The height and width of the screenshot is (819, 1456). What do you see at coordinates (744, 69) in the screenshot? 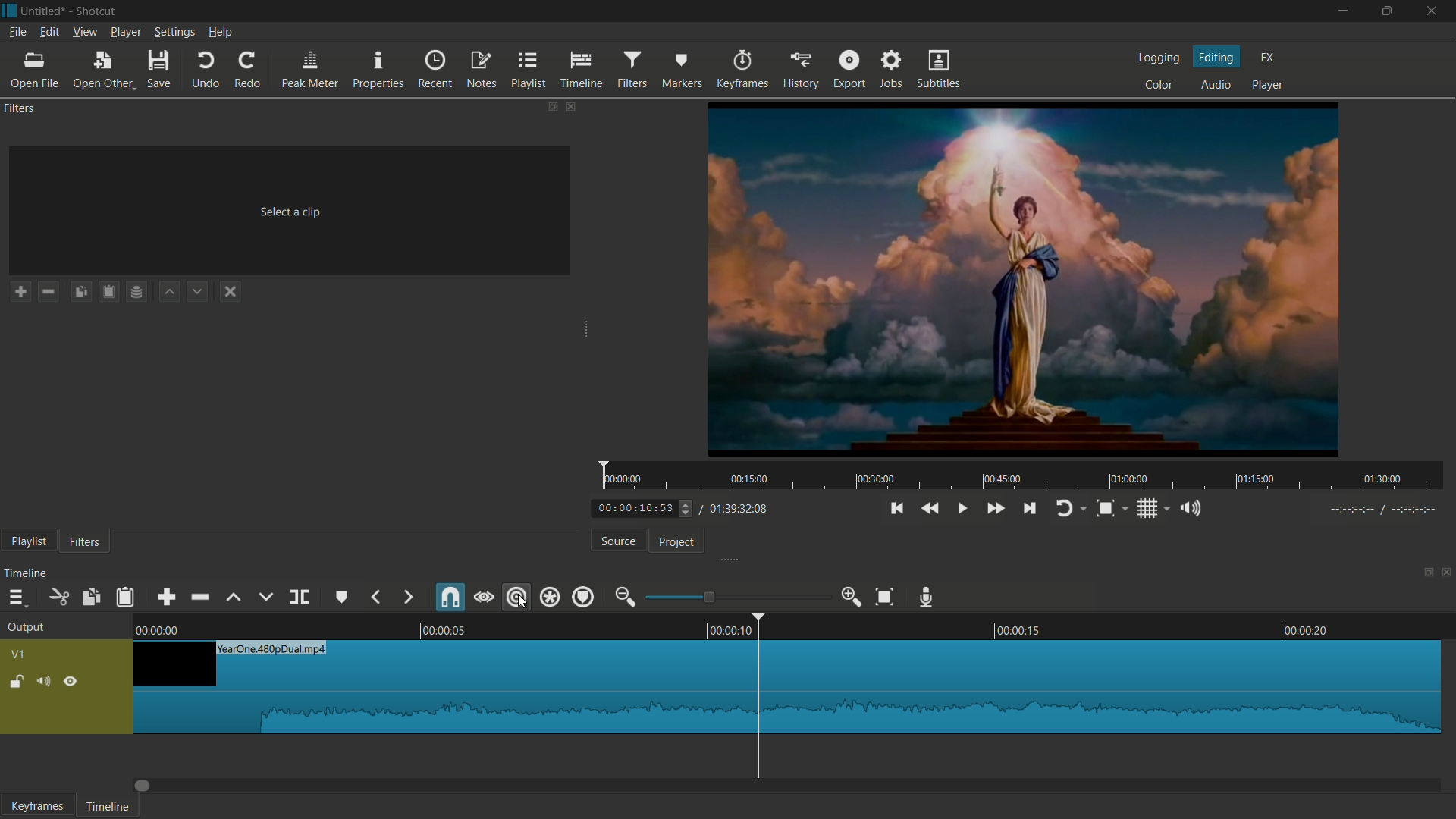
I see `keyframes` at bounding box center [744, 69].